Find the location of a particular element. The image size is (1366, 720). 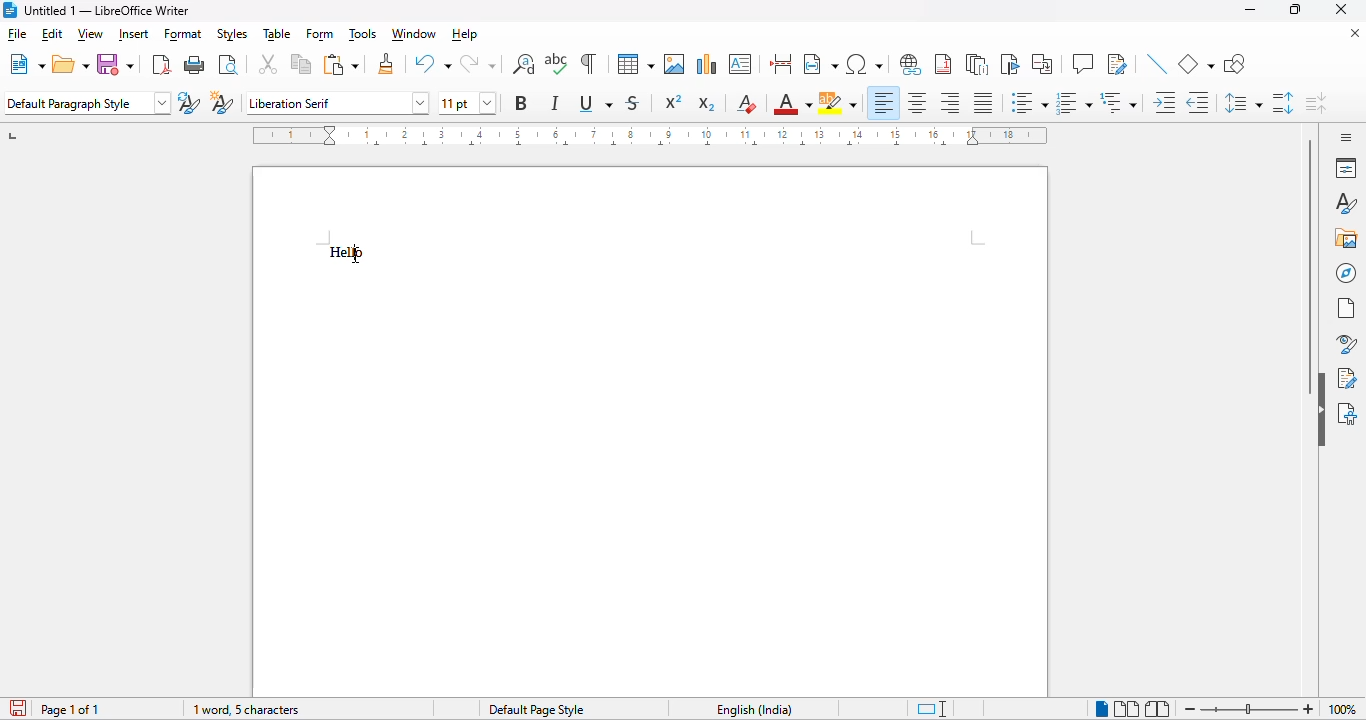

select outline format is located at coordinates (1119, 102).